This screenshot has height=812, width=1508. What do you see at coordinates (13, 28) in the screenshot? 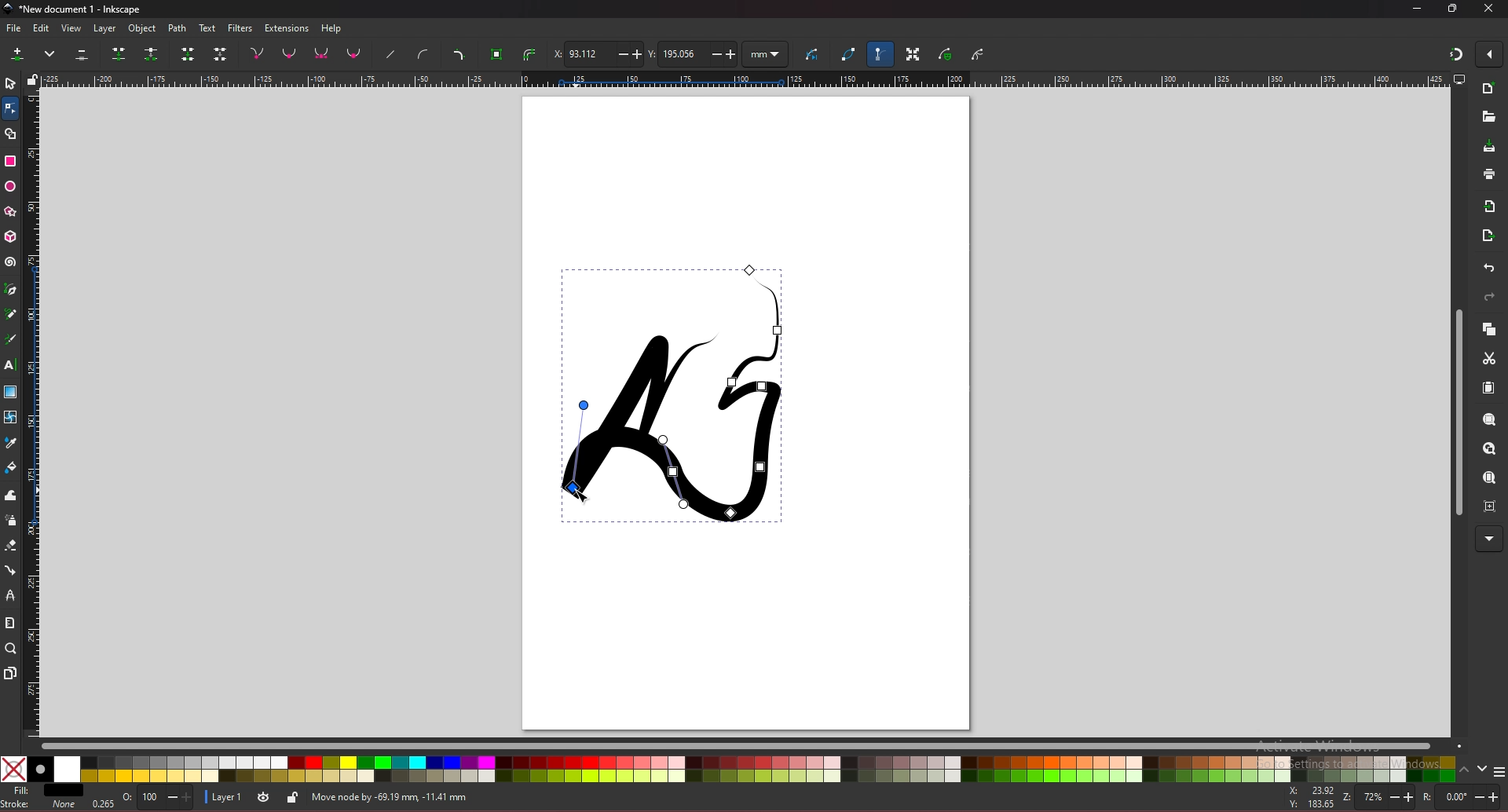
I see `file` at bounding box center [13, 28].